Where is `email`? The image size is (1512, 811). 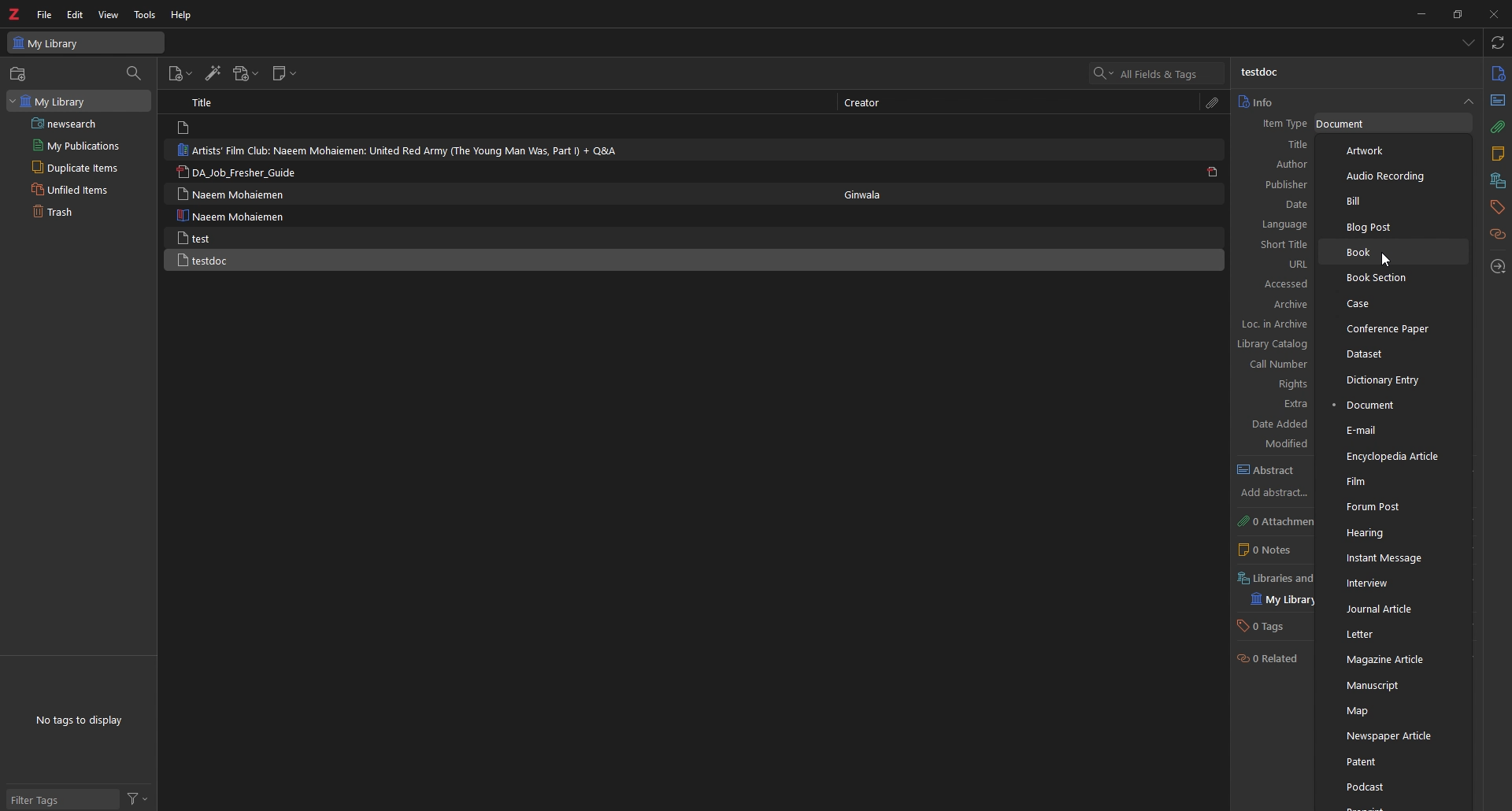
email is located at coordinates (1392, 430).